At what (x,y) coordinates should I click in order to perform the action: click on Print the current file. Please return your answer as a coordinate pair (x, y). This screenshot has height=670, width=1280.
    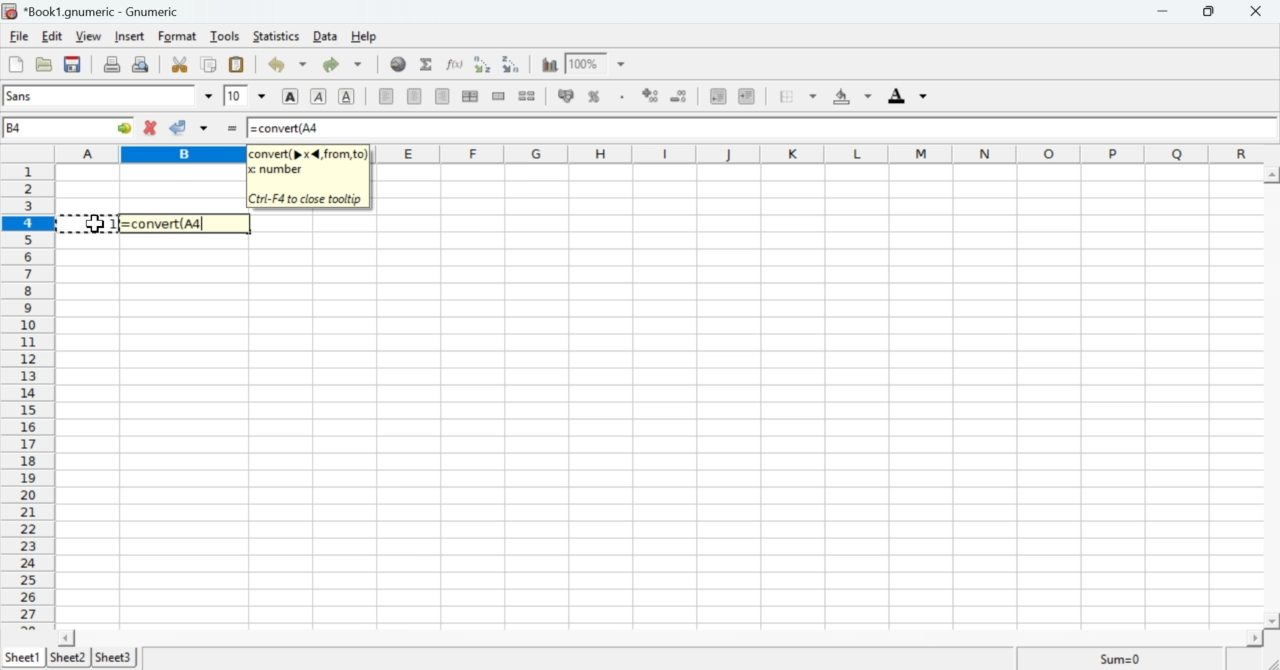
    Looking at the image, I should click on (111, 63).